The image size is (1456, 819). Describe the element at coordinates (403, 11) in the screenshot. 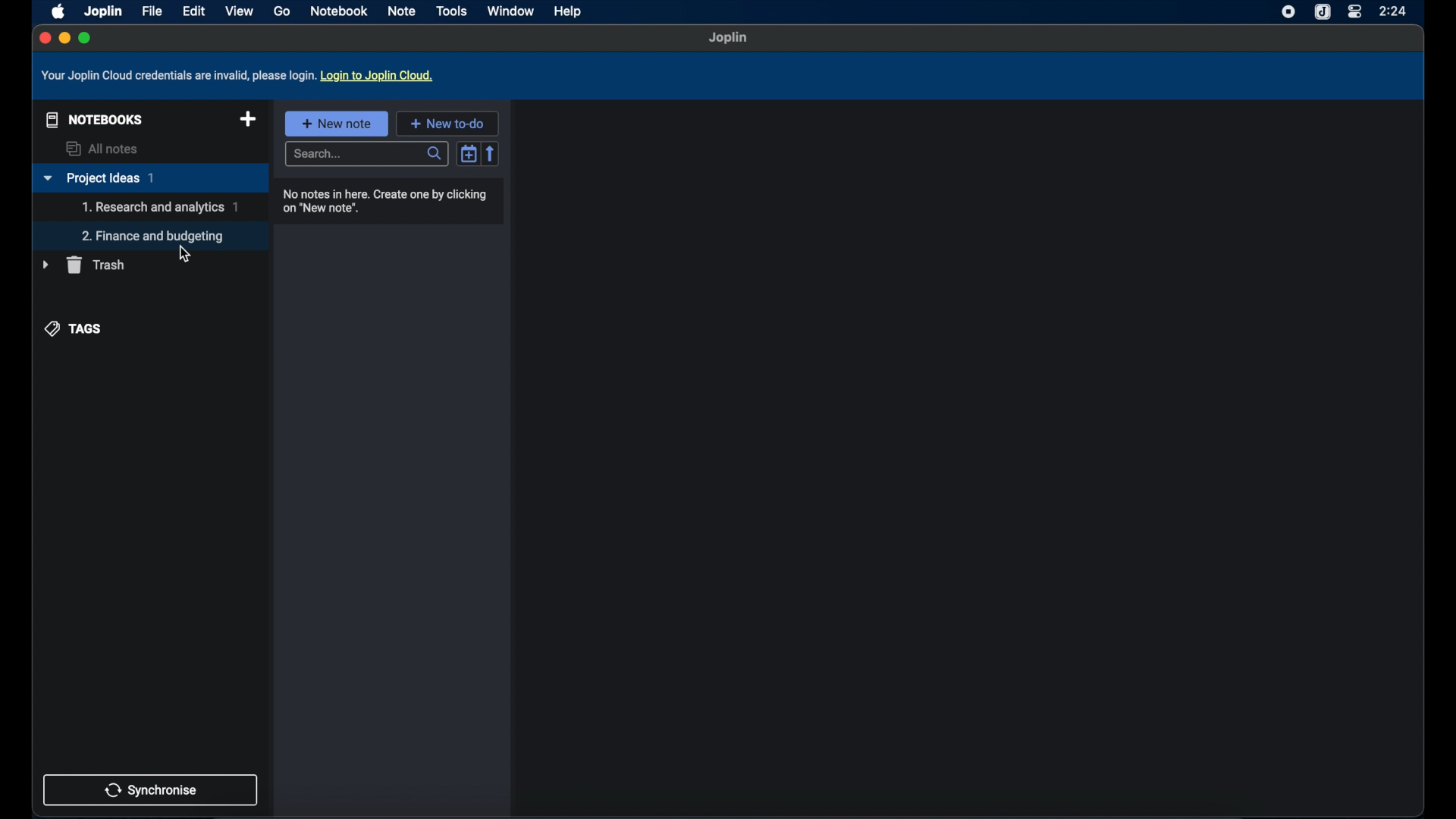

I see `note` at that location.